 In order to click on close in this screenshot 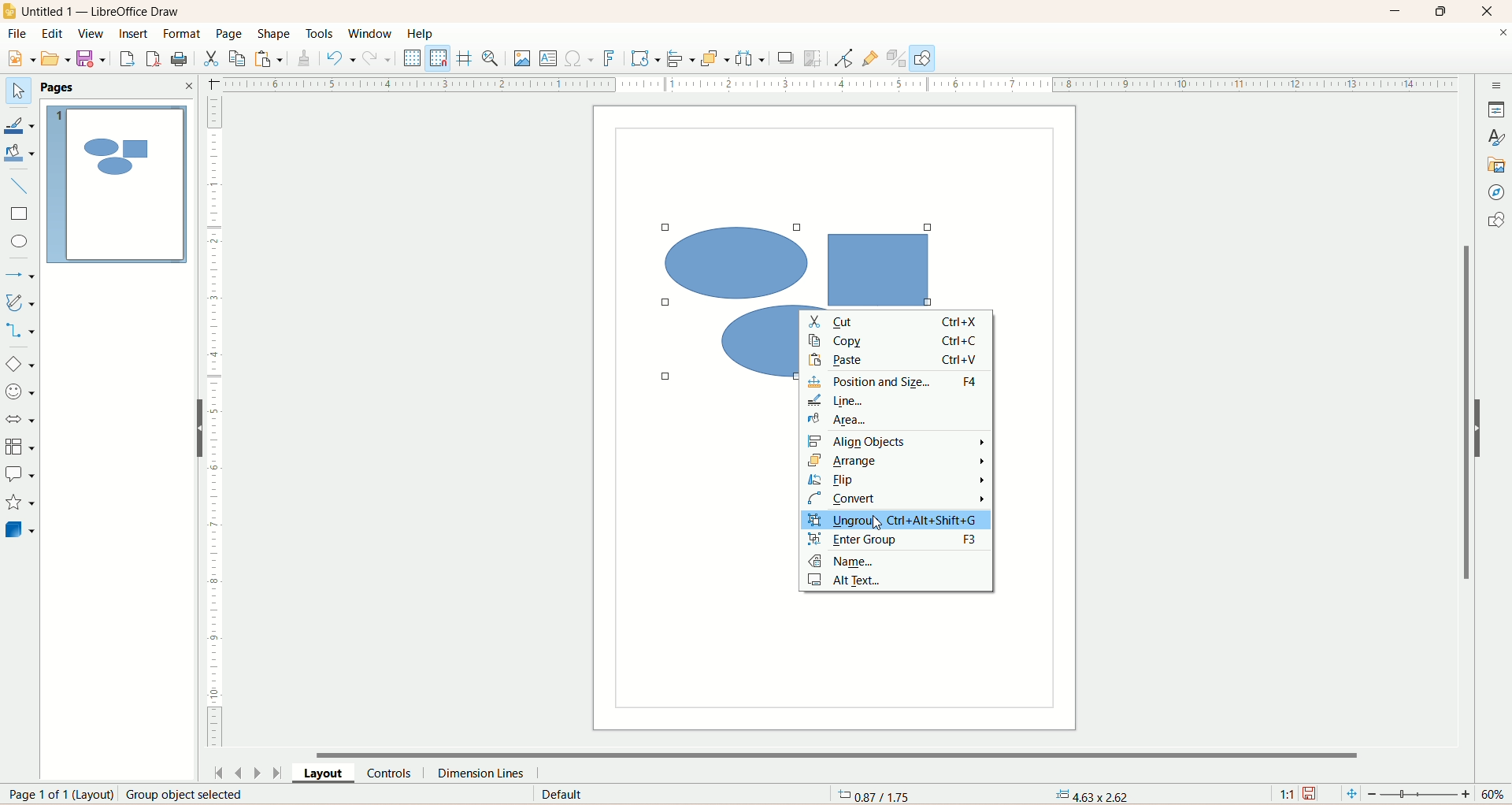, I will do `click(188, 86)`.